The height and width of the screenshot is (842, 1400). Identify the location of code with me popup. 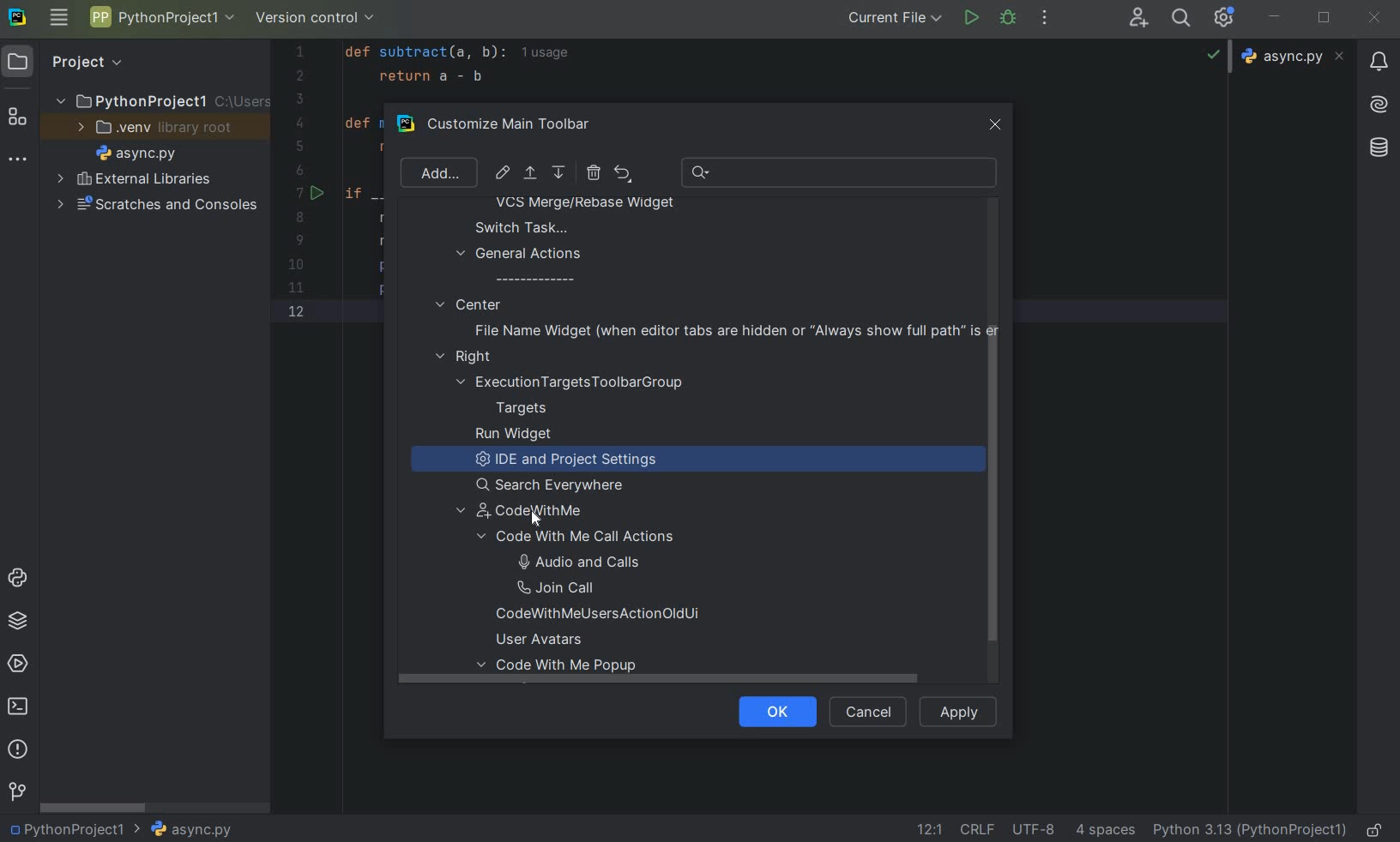
(564, 670).